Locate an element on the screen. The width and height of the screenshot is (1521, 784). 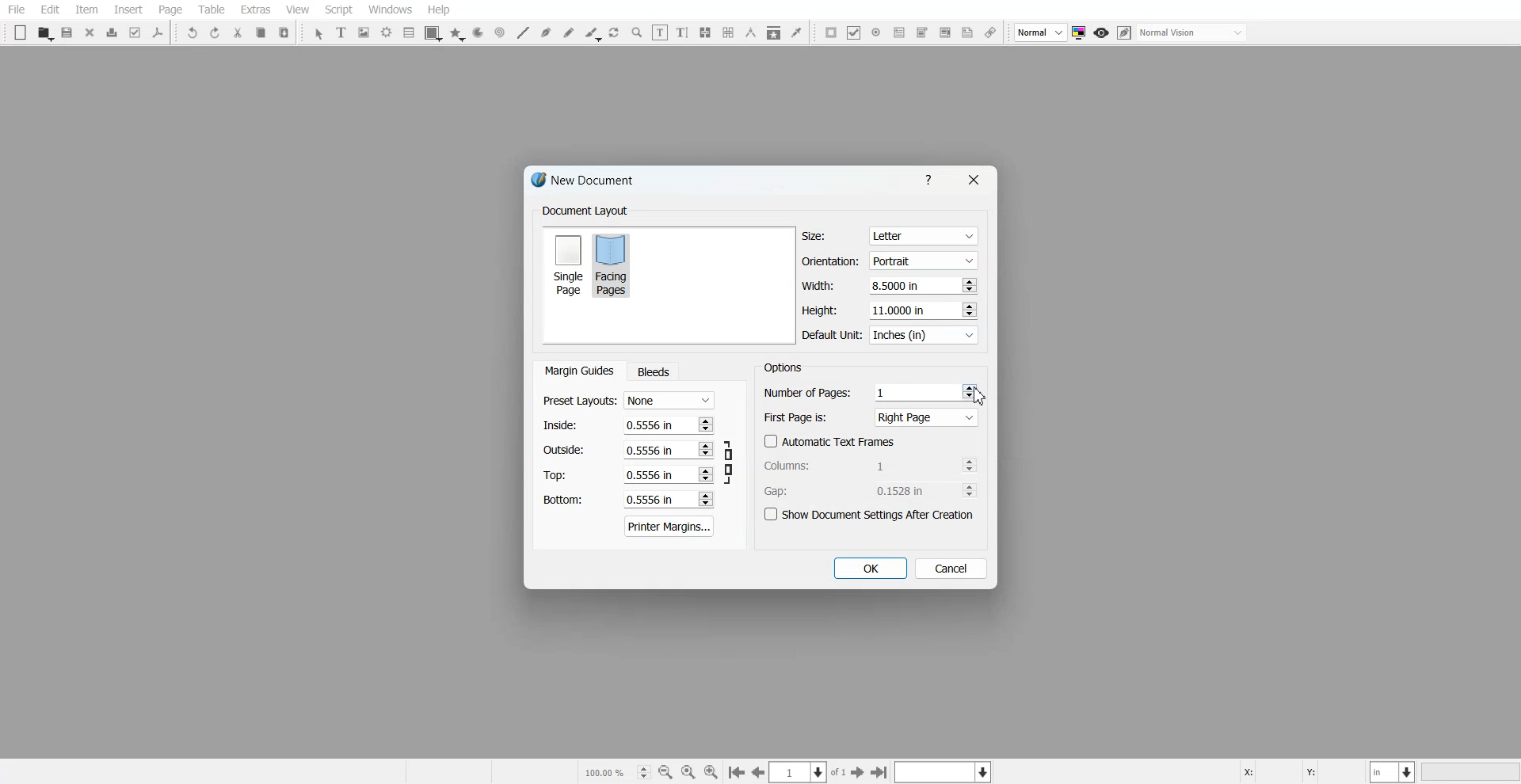
Edit in preview mode is located at coordinates (1125, 32).